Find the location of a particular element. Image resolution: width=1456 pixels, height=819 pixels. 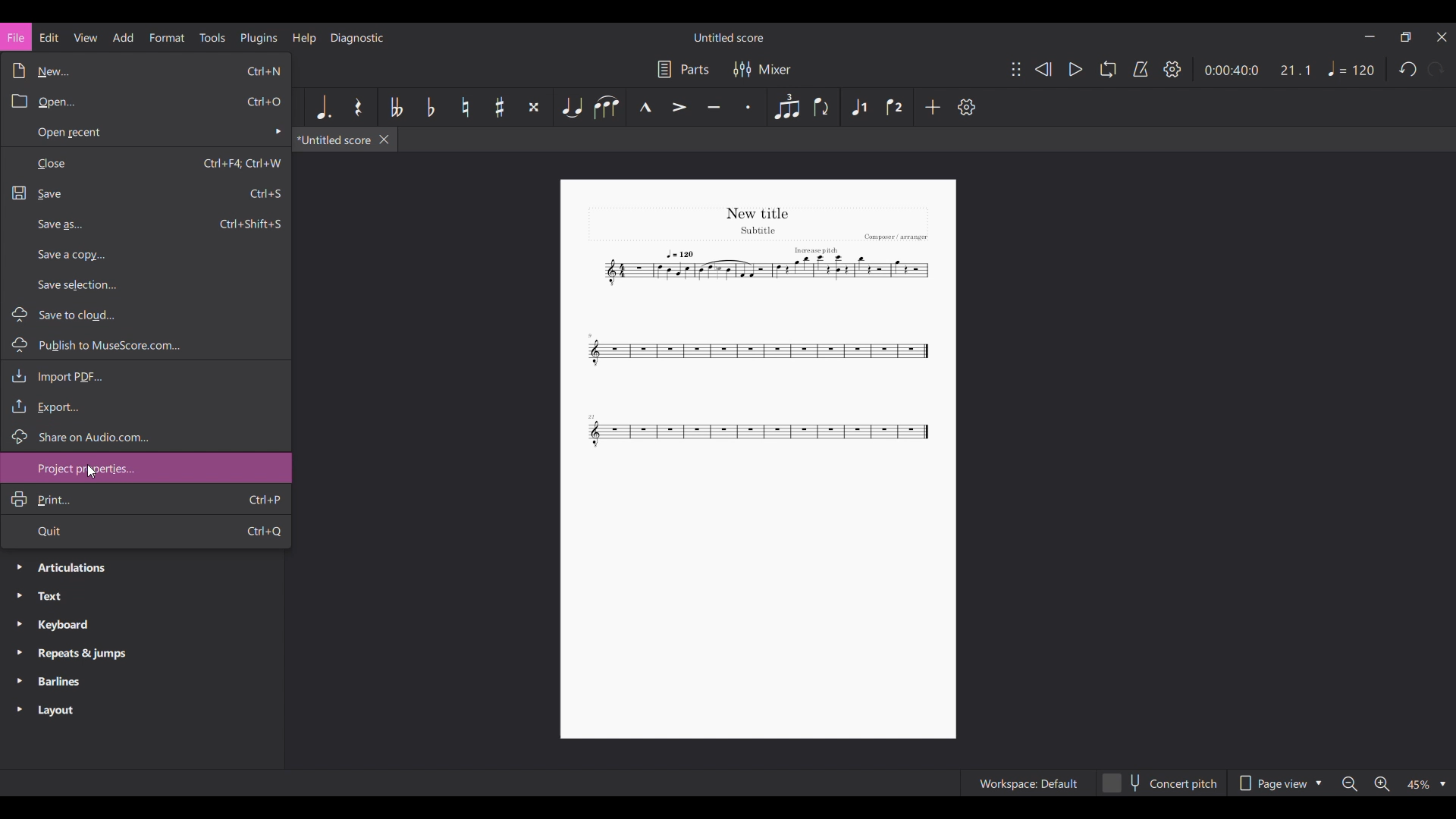

Quit is located at coordinates (146, 531).